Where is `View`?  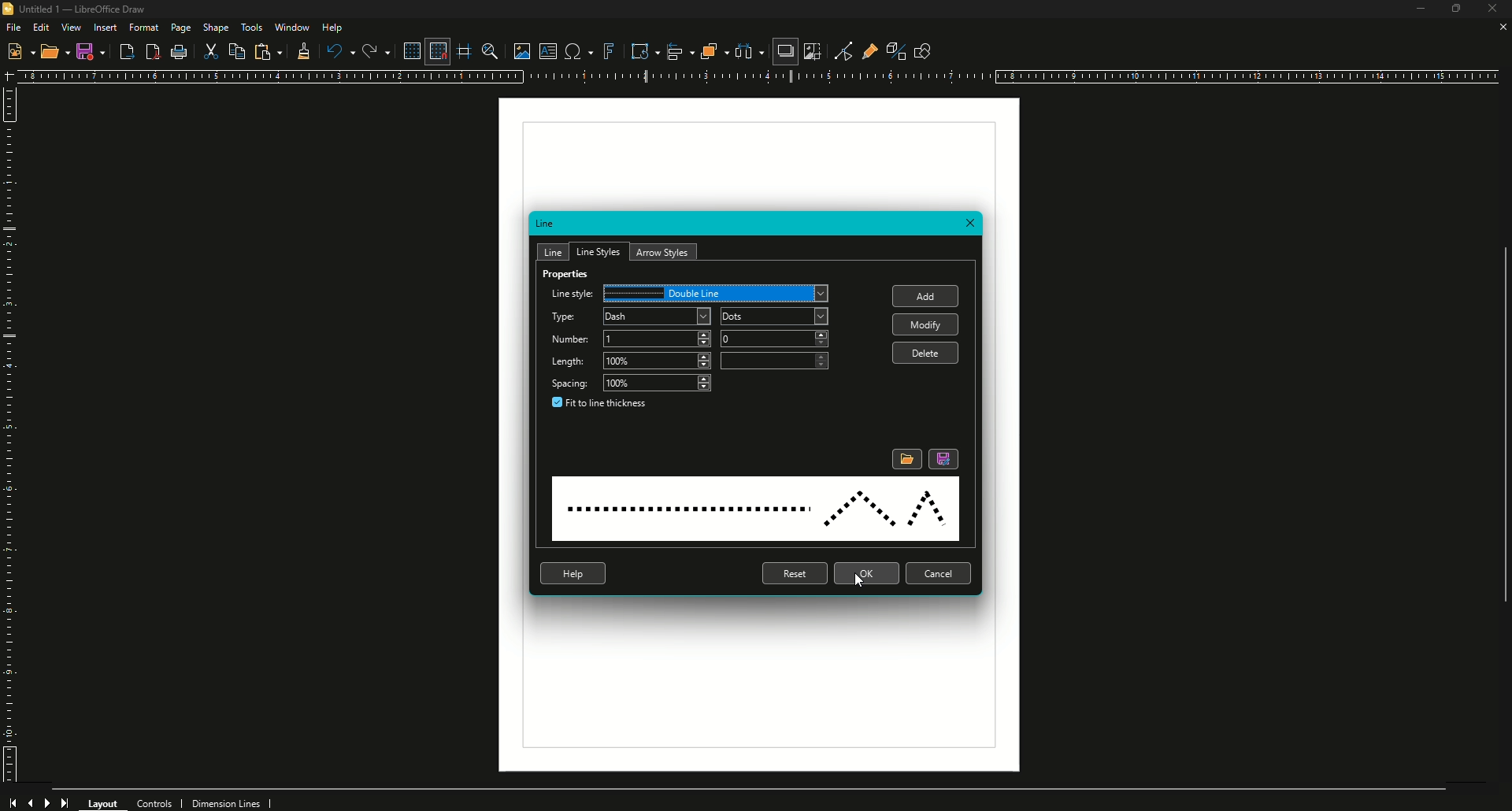
View is located at coordinates (71, 28).